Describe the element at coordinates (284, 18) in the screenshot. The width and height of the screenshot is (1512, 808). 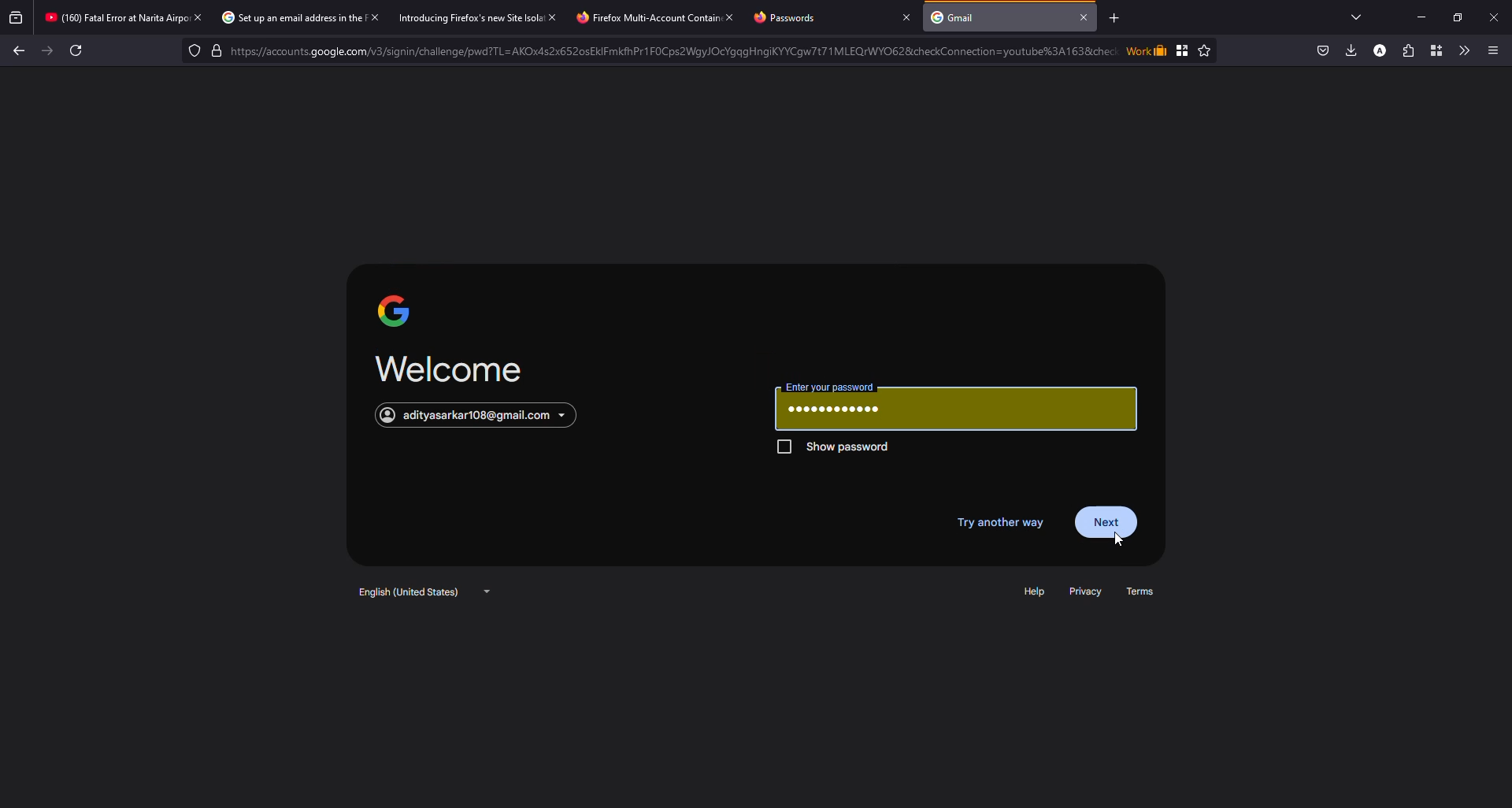
I see `) Set up an email address in` at that location.